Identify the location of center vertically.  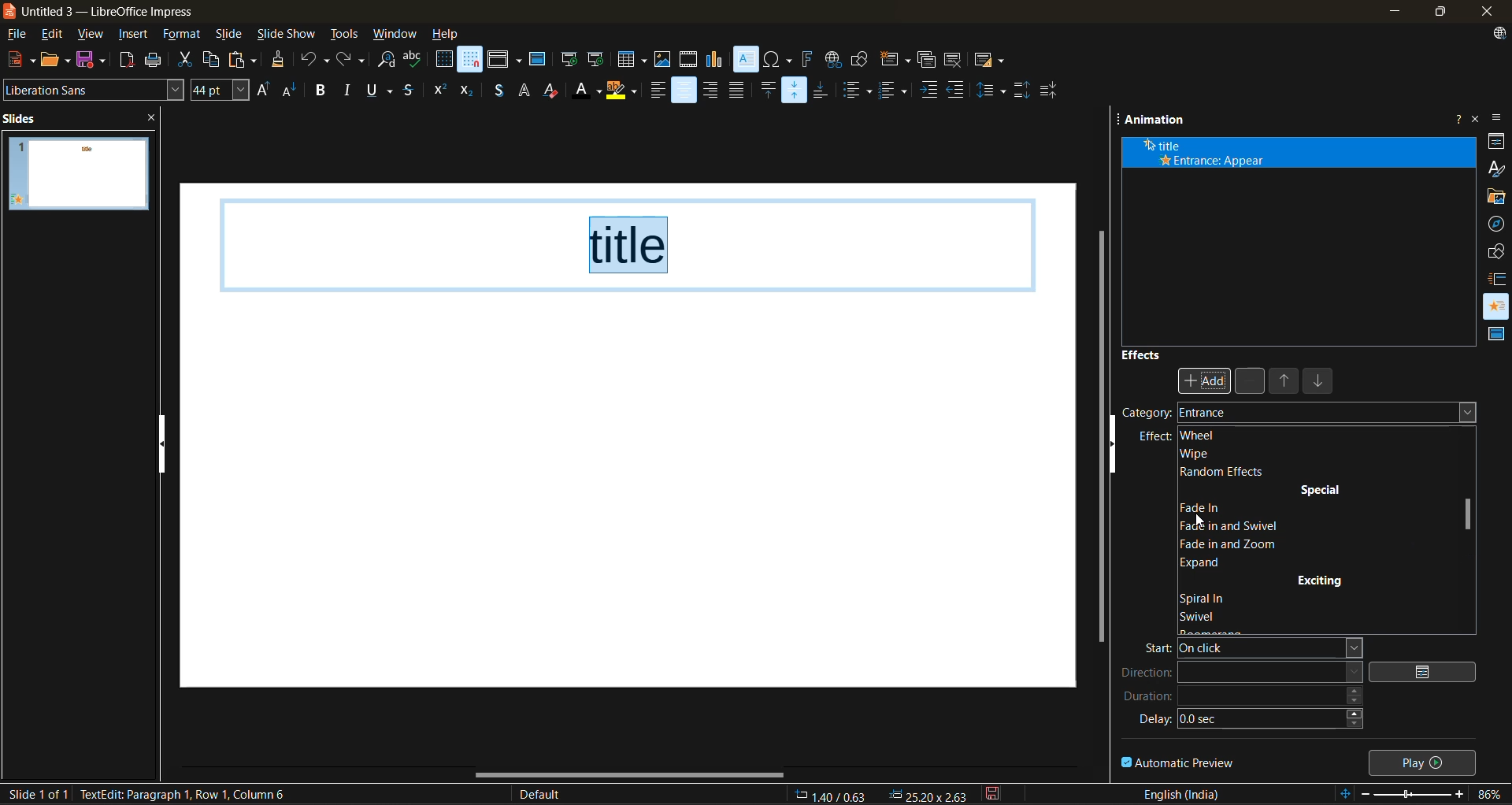
(796, 89).